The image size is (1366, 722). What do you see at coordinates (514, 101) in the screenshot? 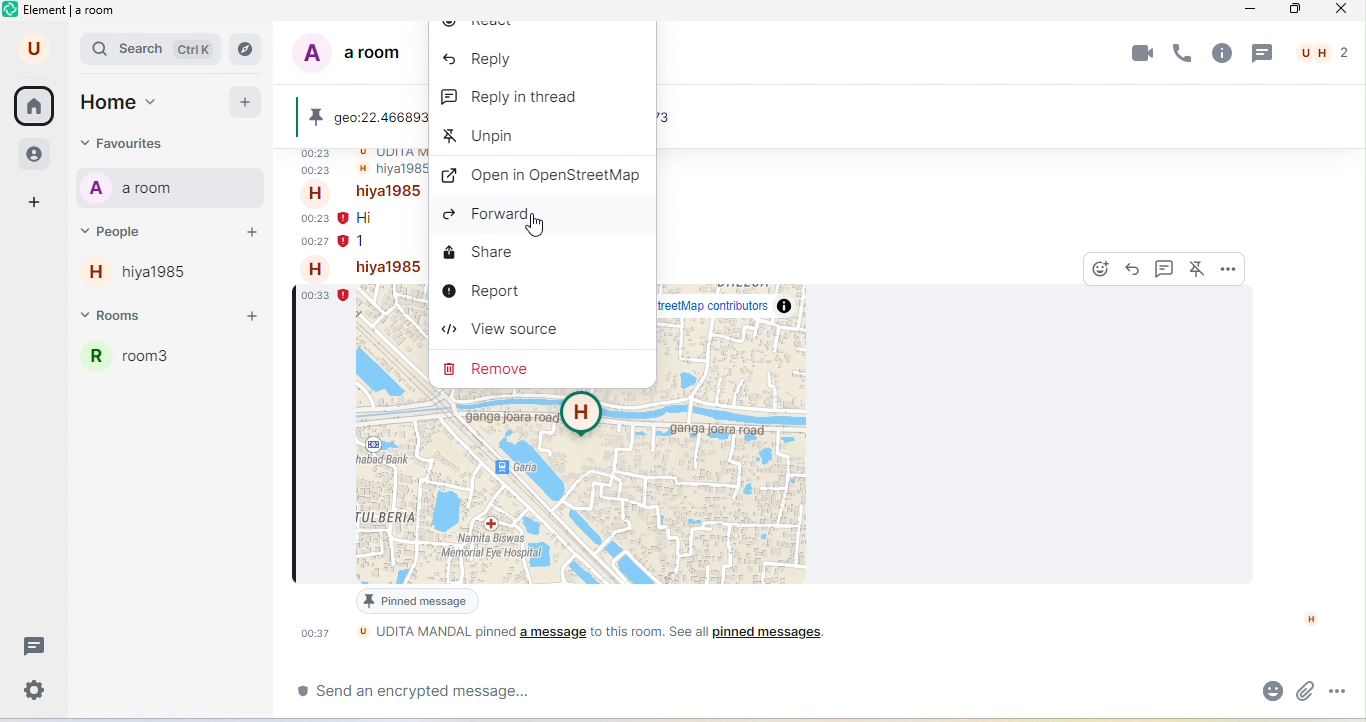
I see `reply in thread` at bounding box center [514, 101].